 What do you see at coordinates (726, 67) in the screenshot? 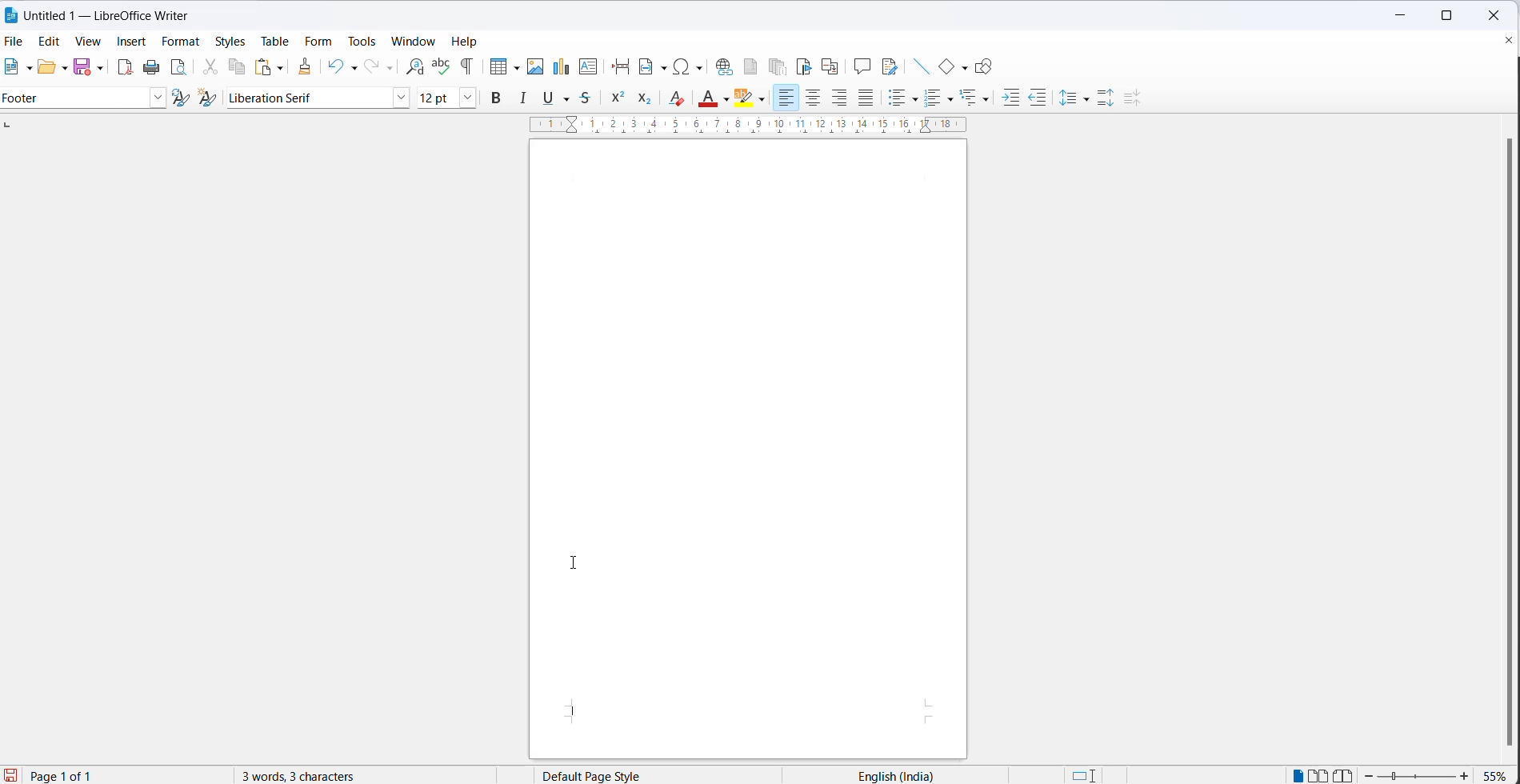
I see `insert hyperlinks` at bounding box center [726, 67].